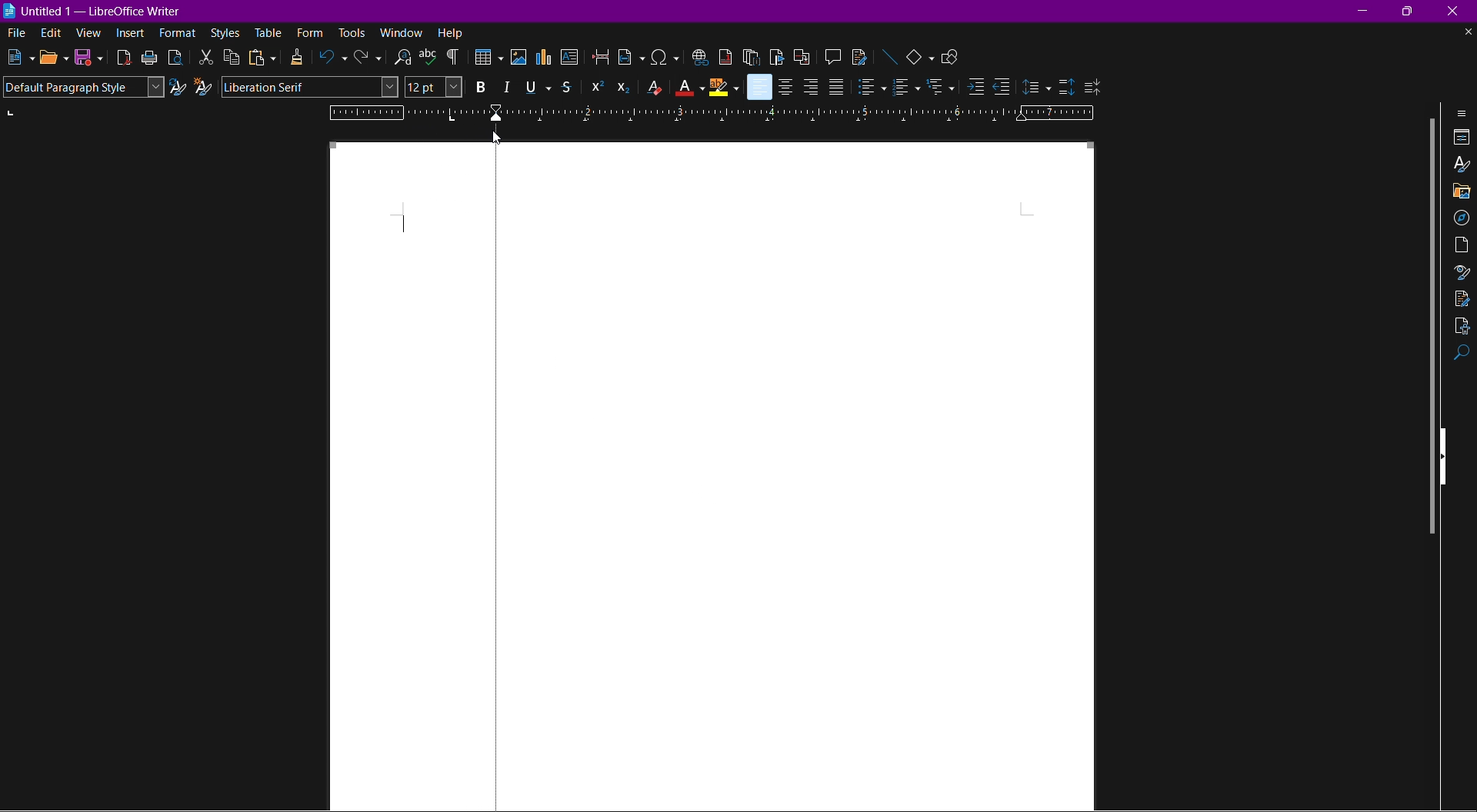  Describe the element at coordinates (150, 58) in the screenshot. I see `Print` at that location.